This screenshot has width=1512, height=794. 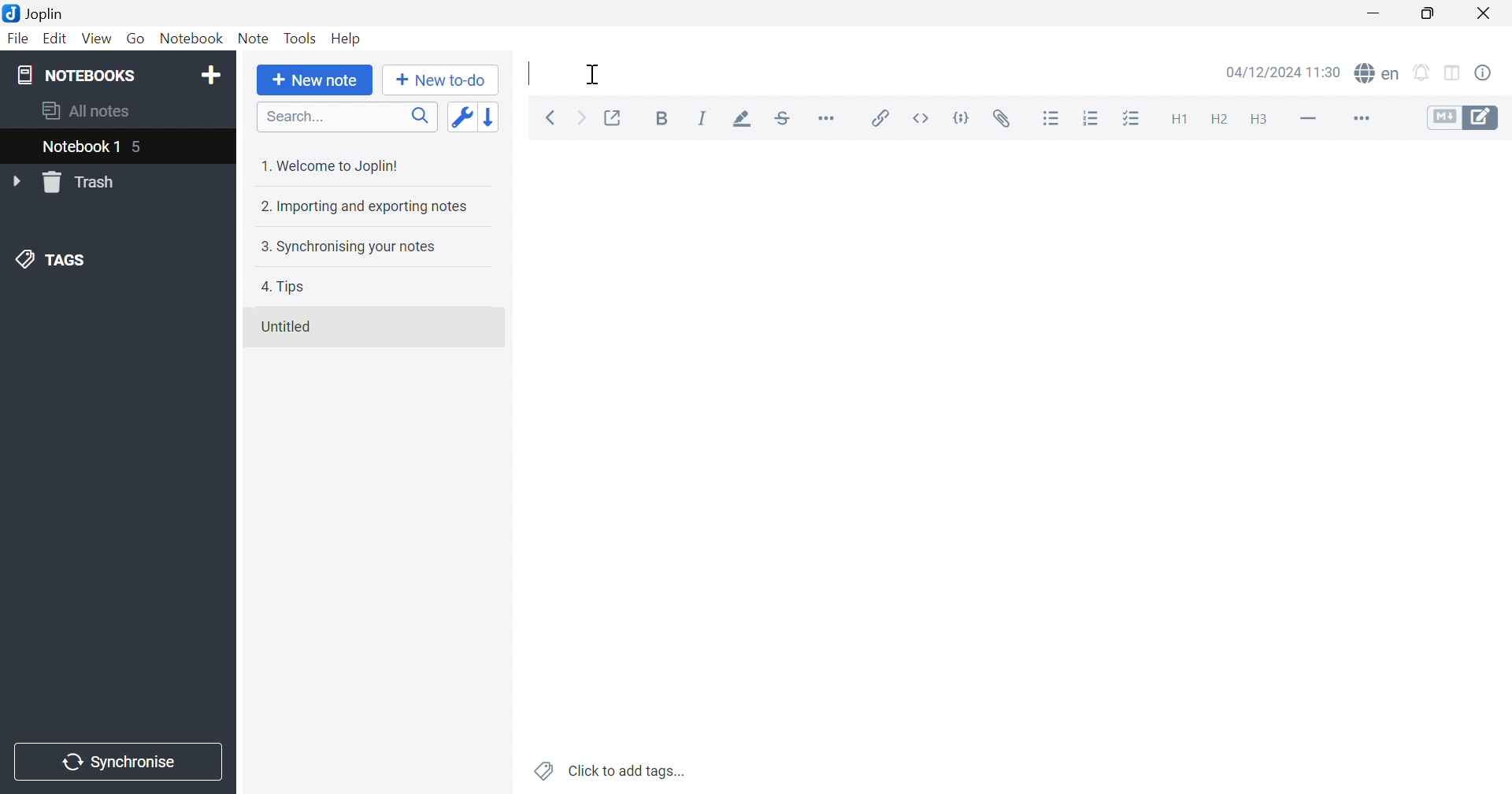 What do you see at coordinates (365, 208) in the screenshot?
I see `2. Importing and exporting notes` at bounding box center [365, 208].